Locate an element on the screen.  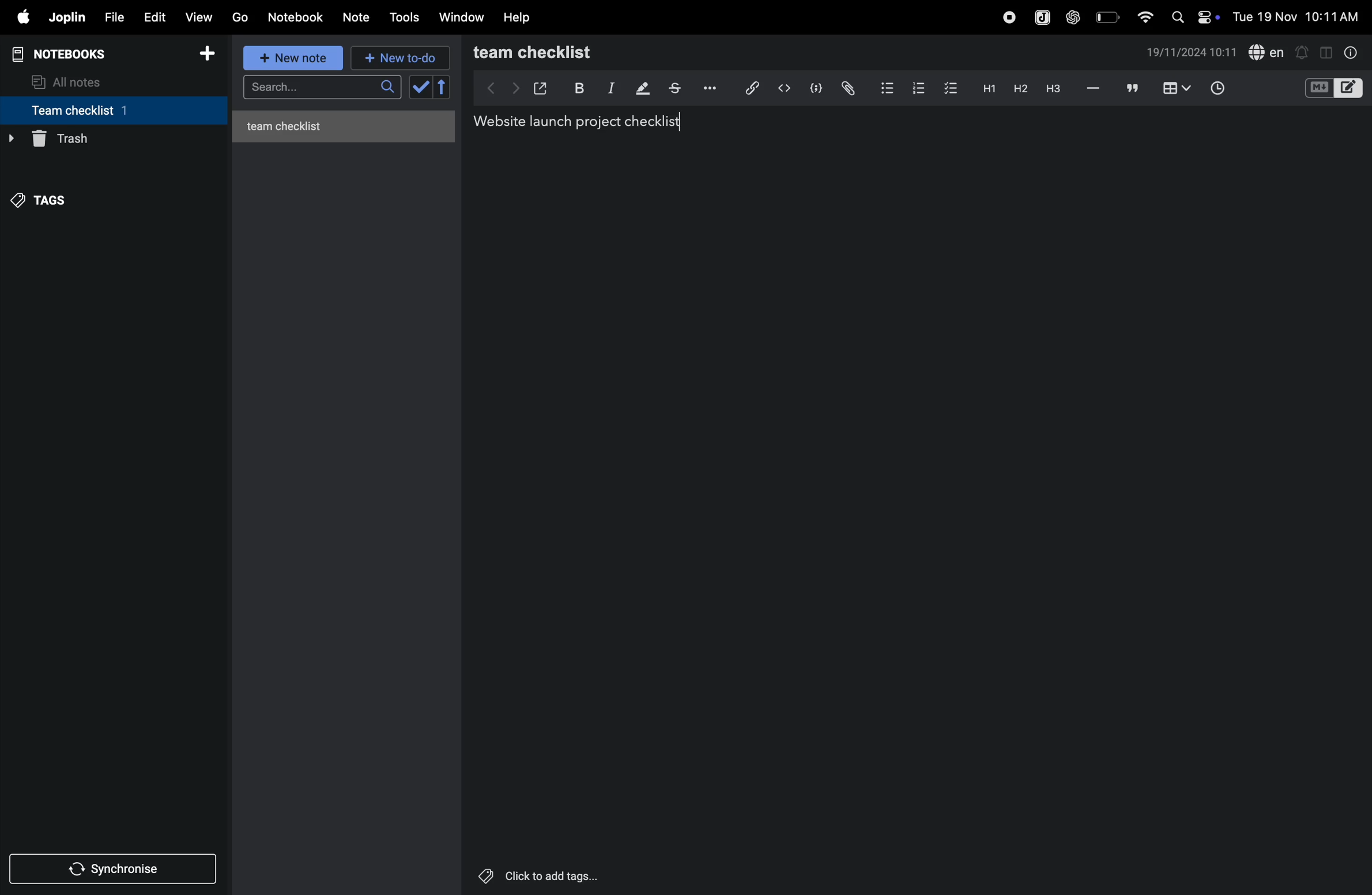
battery is located at coordinates (1106, 17).